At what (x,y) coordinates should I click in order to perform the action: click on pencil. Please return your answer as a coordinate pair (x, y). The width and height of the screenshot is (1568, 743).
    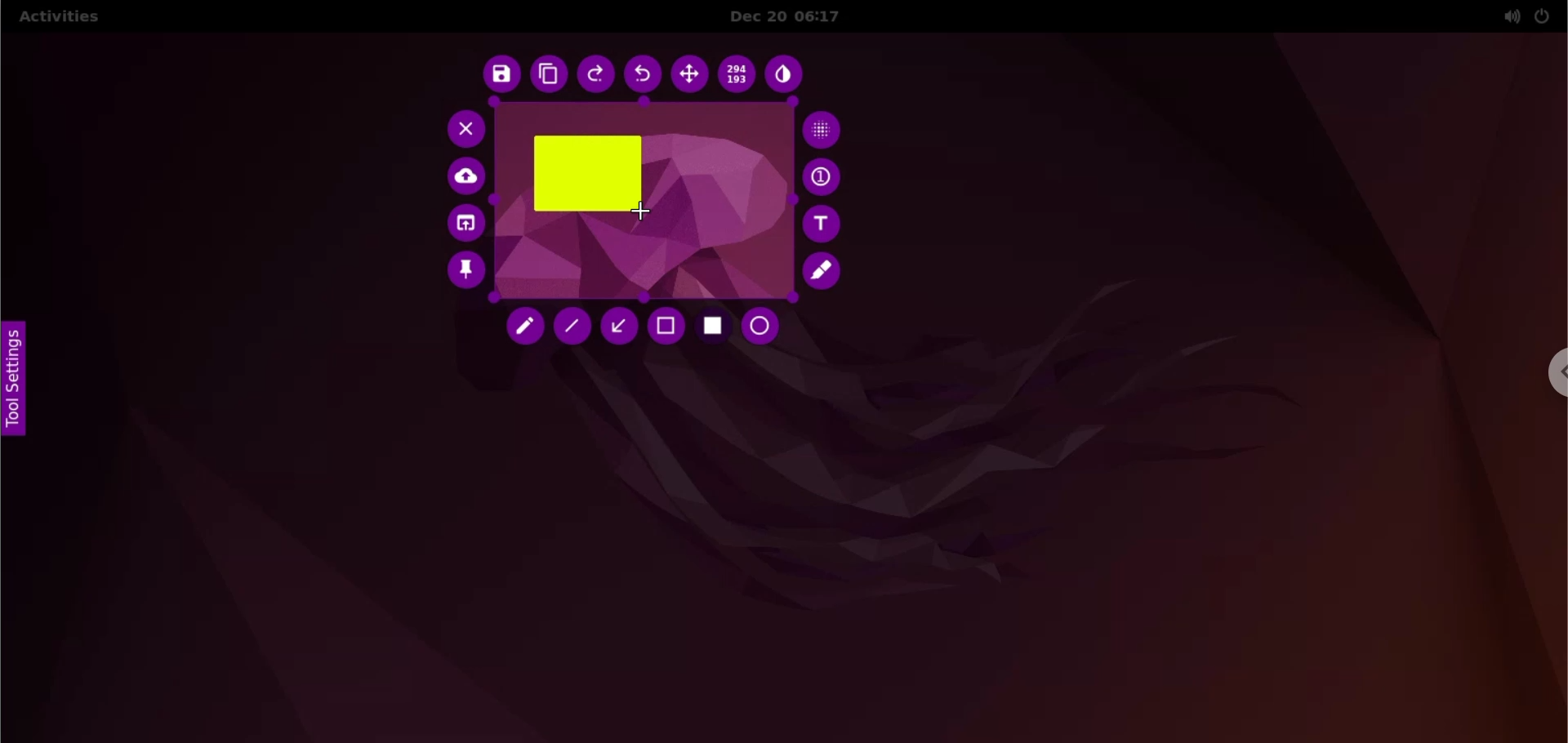
    Looking at the image, I should click on (528, 329).